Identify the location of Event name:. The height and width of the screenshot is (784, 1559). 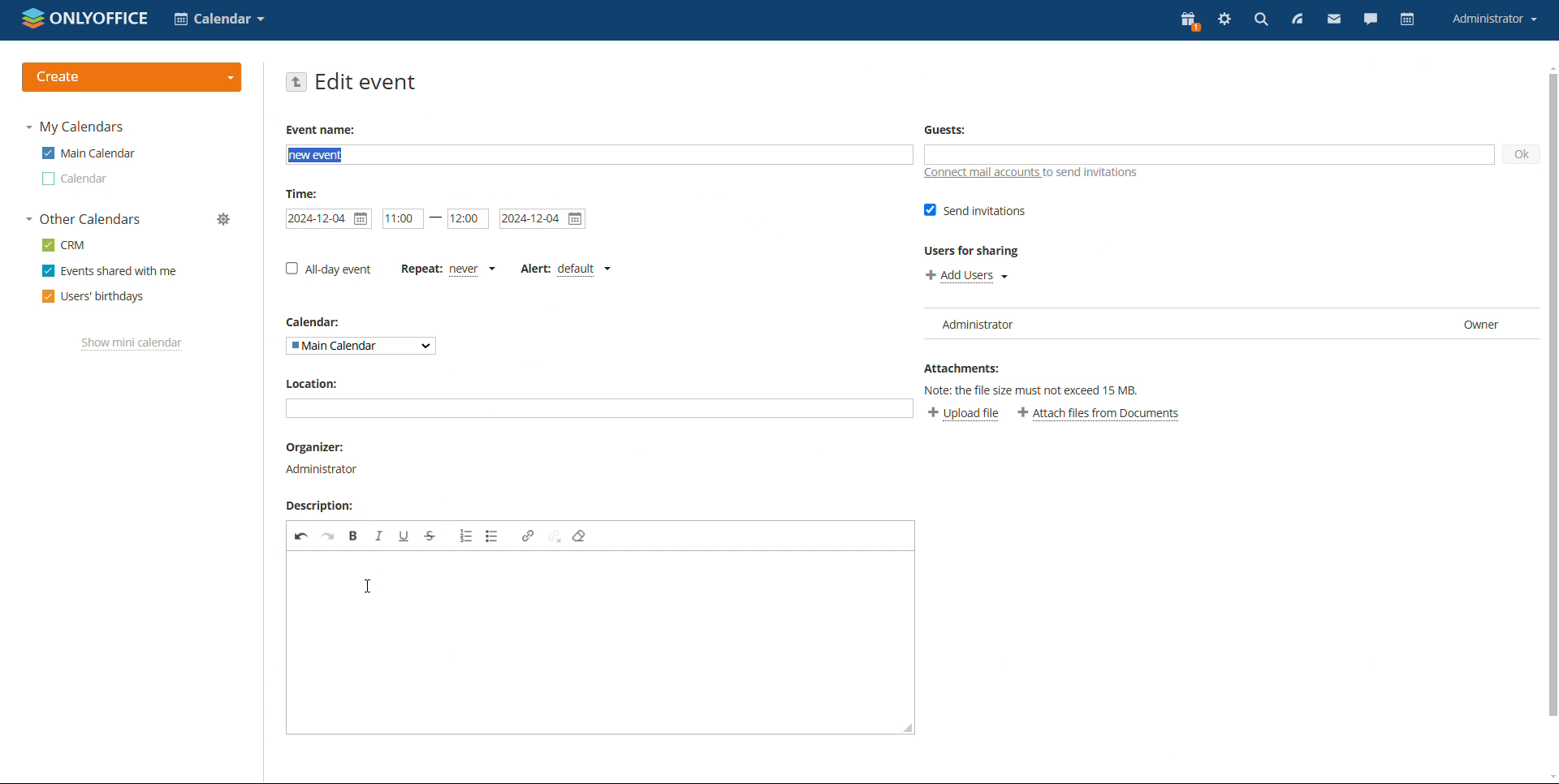
(323, 129).